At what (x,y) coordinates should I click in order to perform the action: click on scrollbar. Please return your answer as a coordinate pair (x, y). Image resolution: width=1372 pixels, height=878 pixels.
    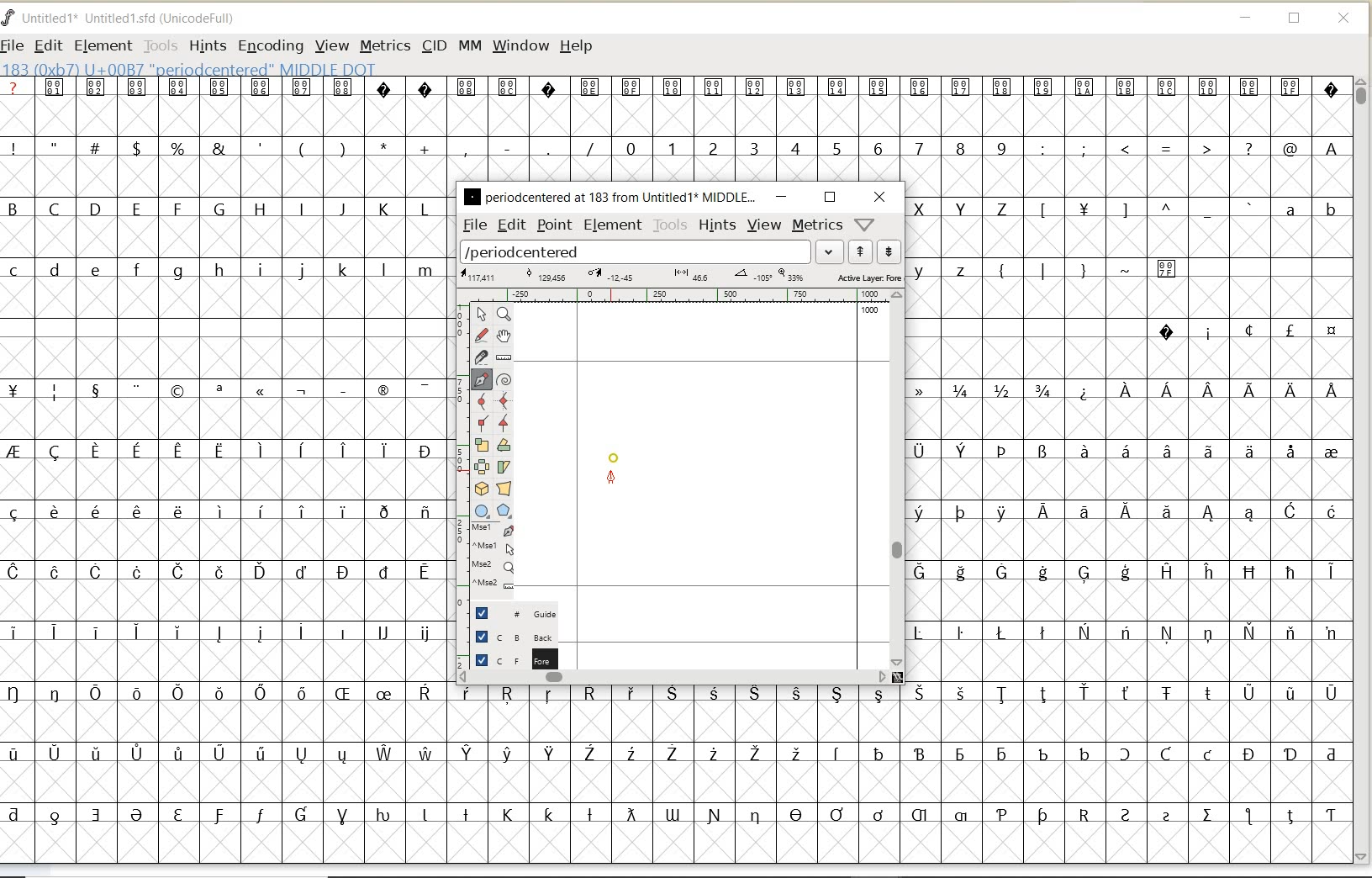
    Looking at the image, I should click on (673, 677).